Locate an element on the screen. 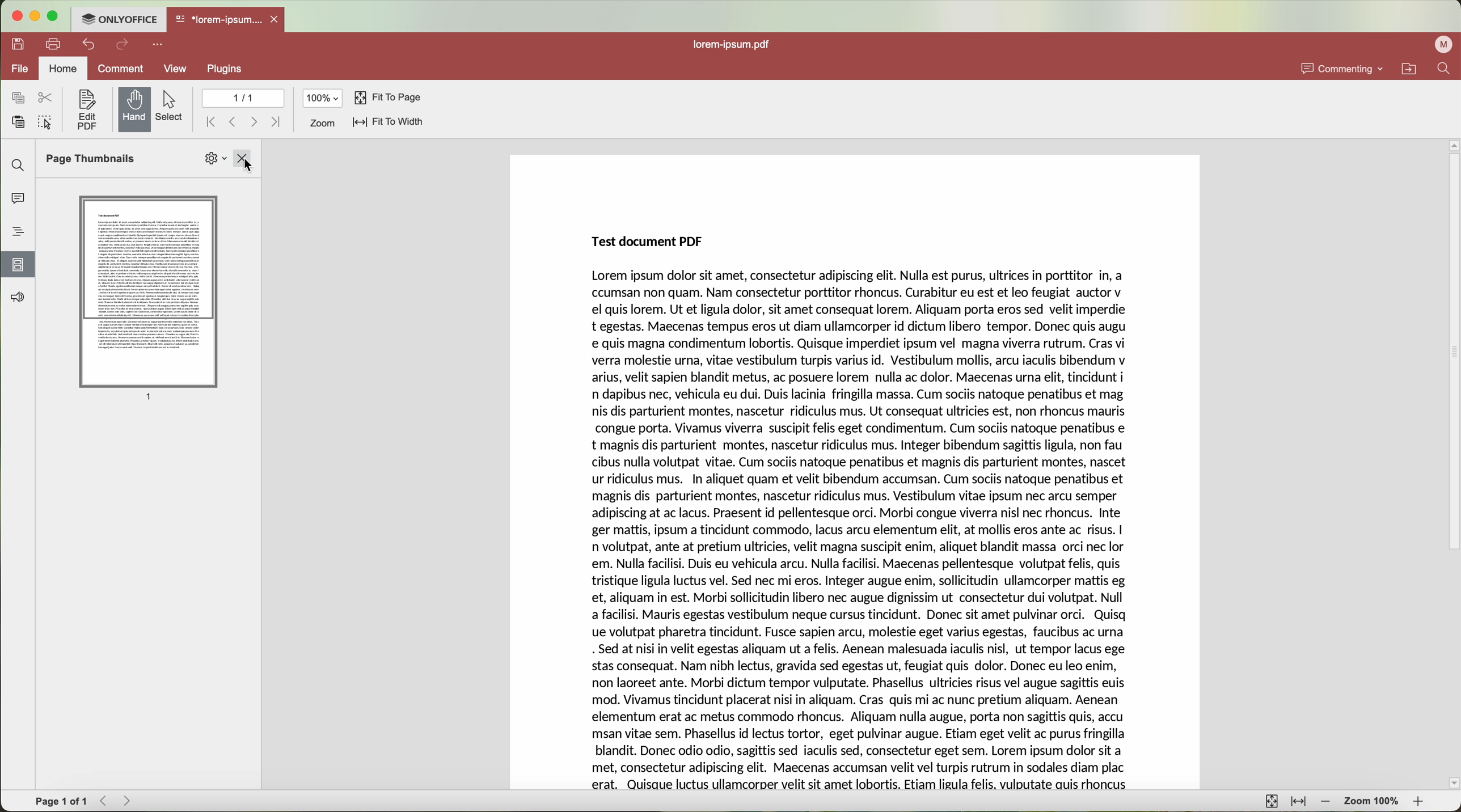  close program is located at coordinates (13, 16).